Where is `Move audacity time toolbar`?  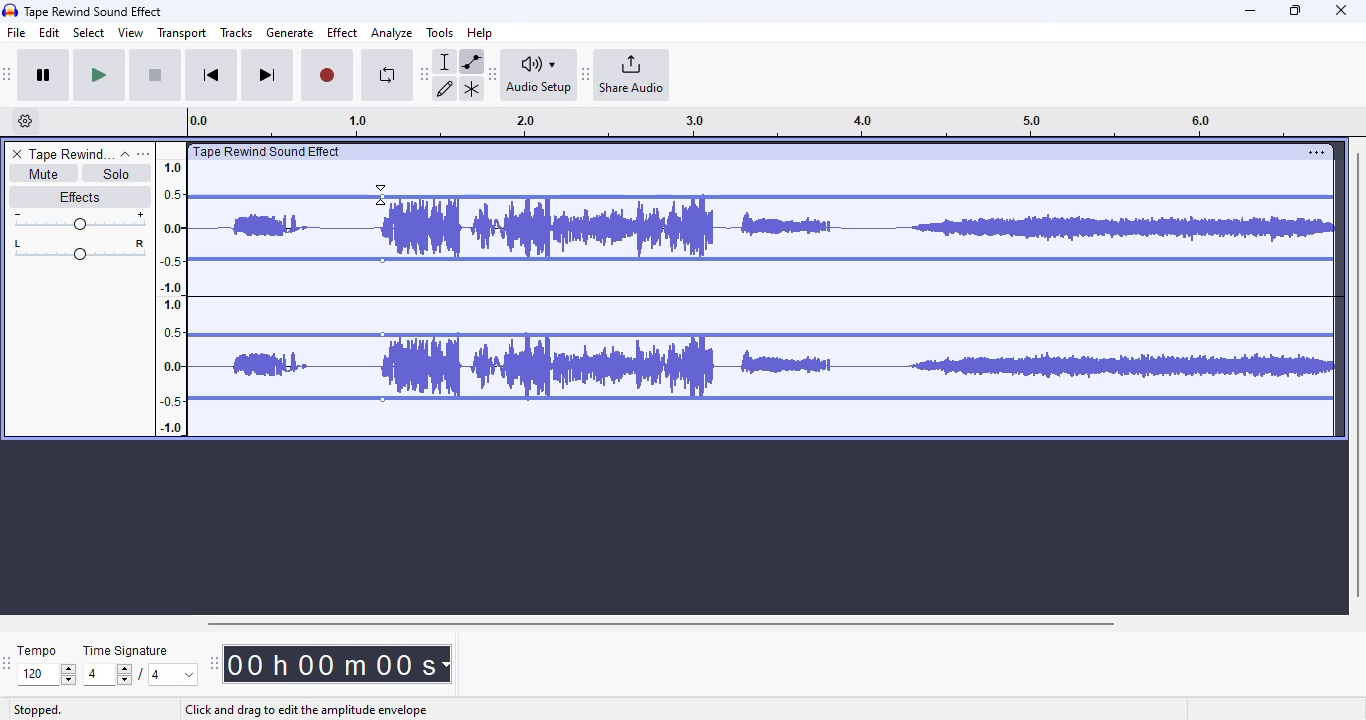
Move audacity time toolbar is located at coordinates (213, 663).